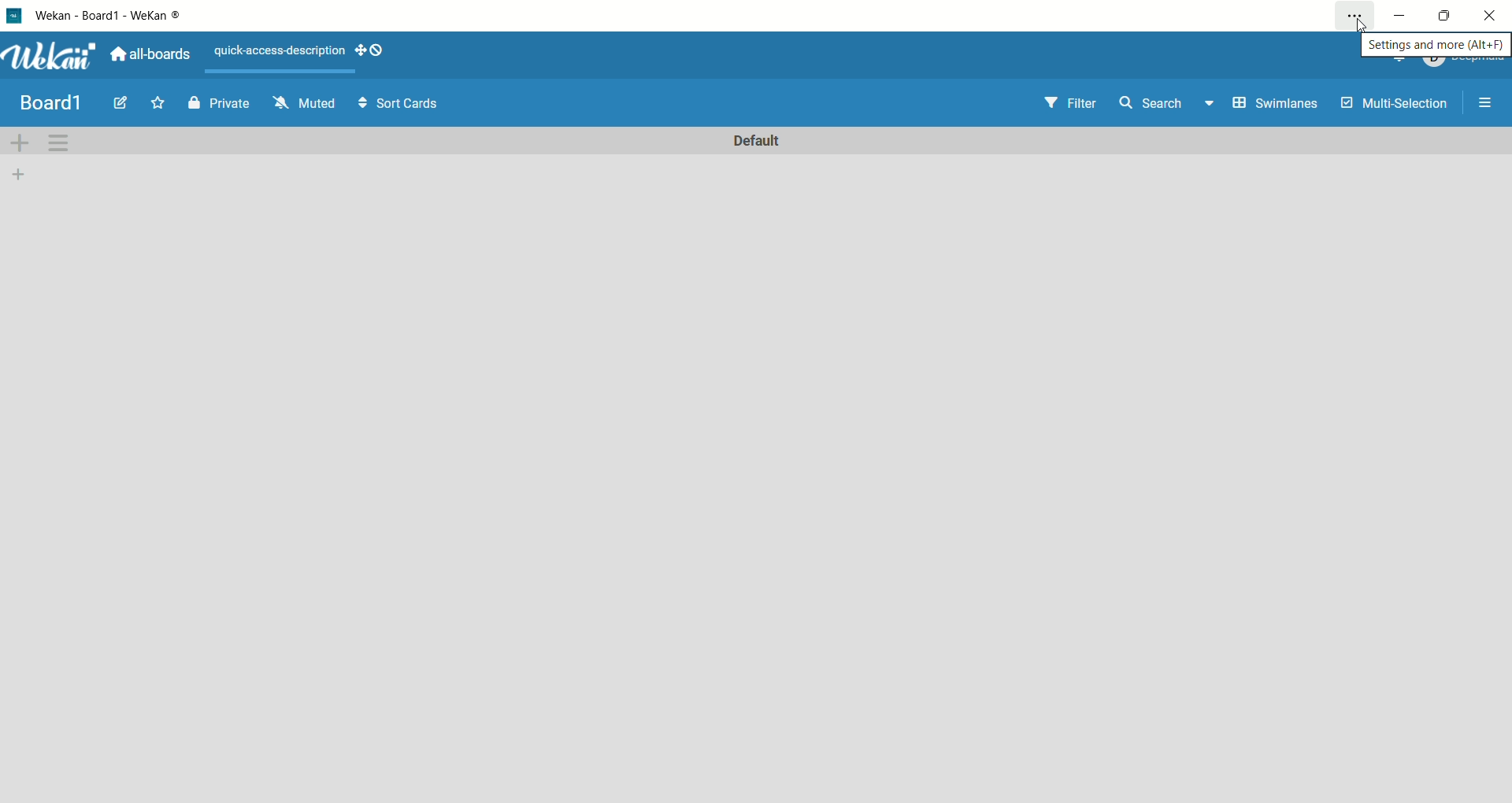 The width and height of the screenshot is (1512, 803). What do you see at coordinates (1442, 18) in the screenshot?
I see `maximize` at bounding box center [1442, 18].